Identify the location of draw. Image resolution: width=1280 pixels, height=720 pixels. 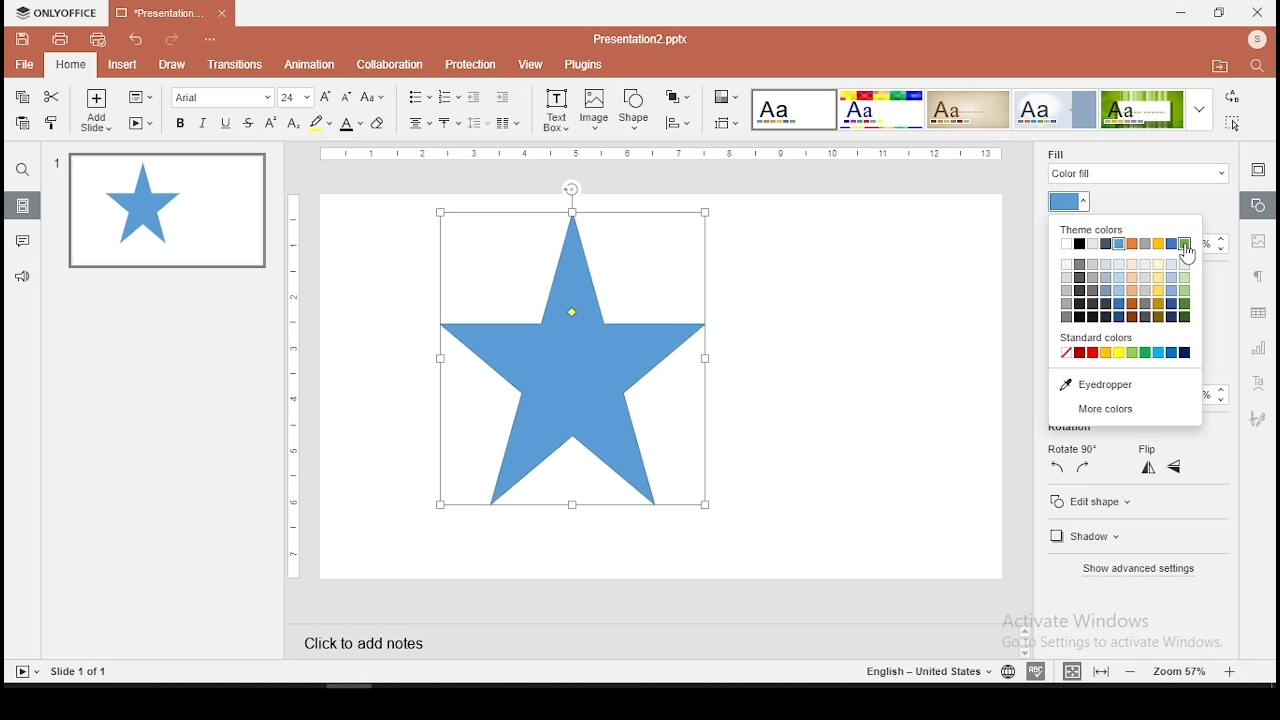
(173, 65).